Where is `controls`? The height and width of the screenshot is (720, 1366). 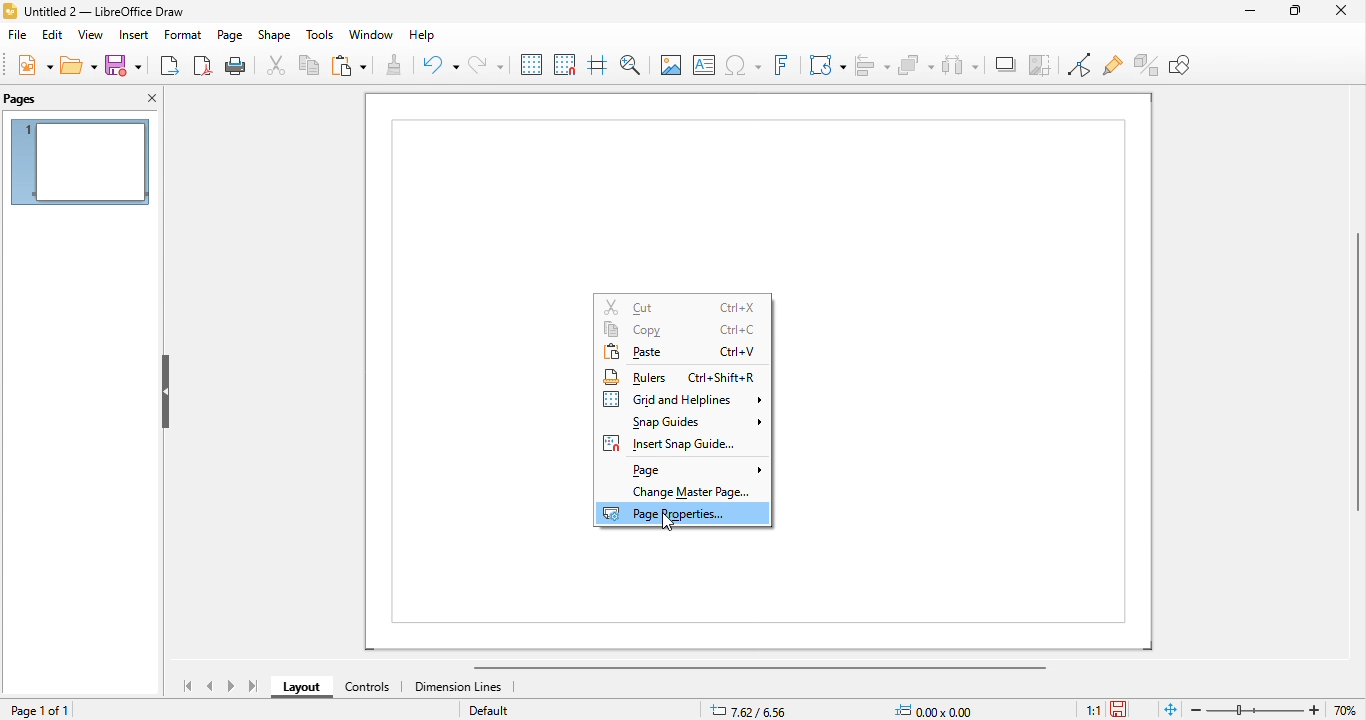
controls is located at coordinates (365, 688).